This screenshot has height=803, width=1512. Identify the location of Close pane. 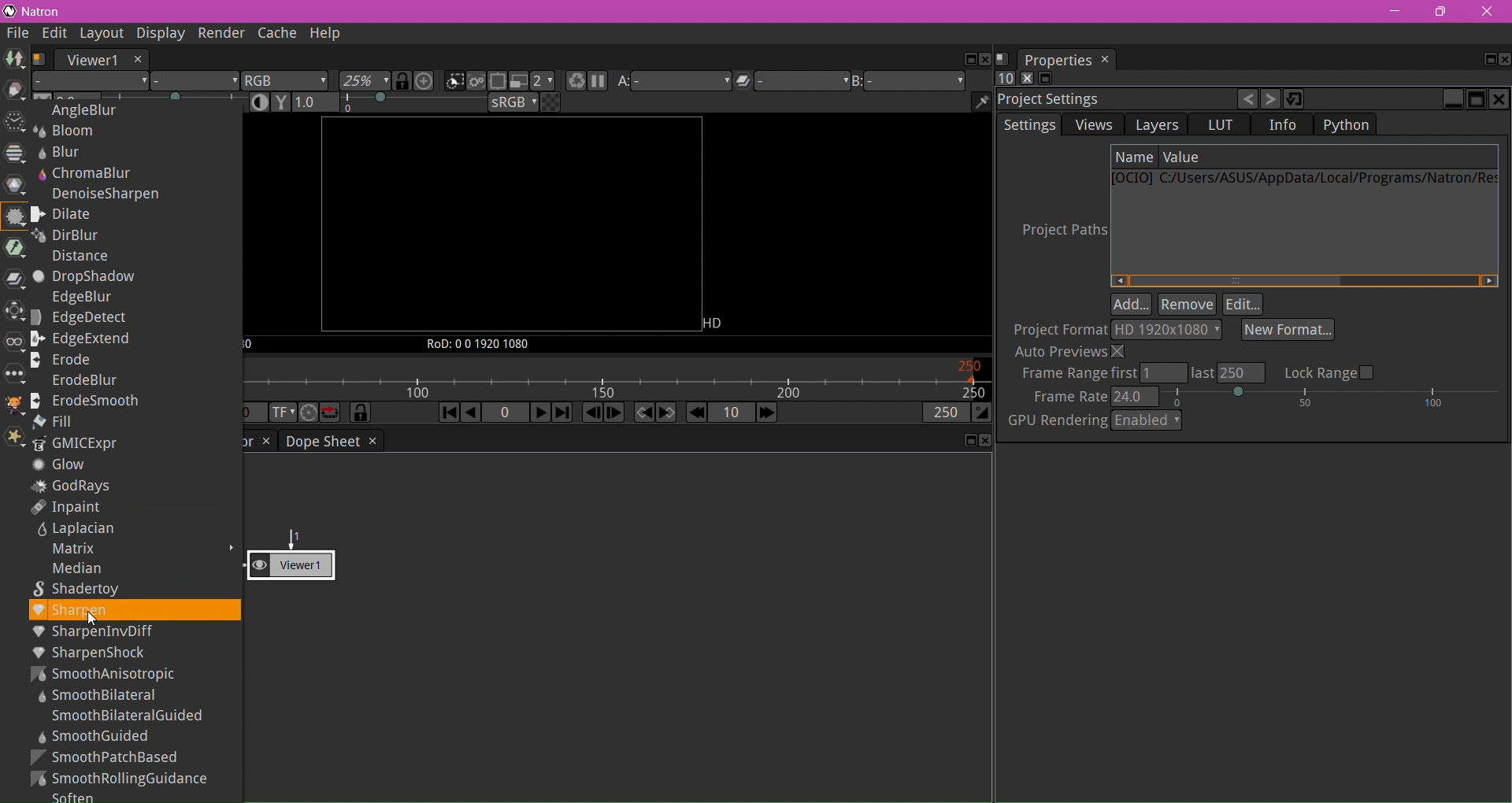
(1503, 59).